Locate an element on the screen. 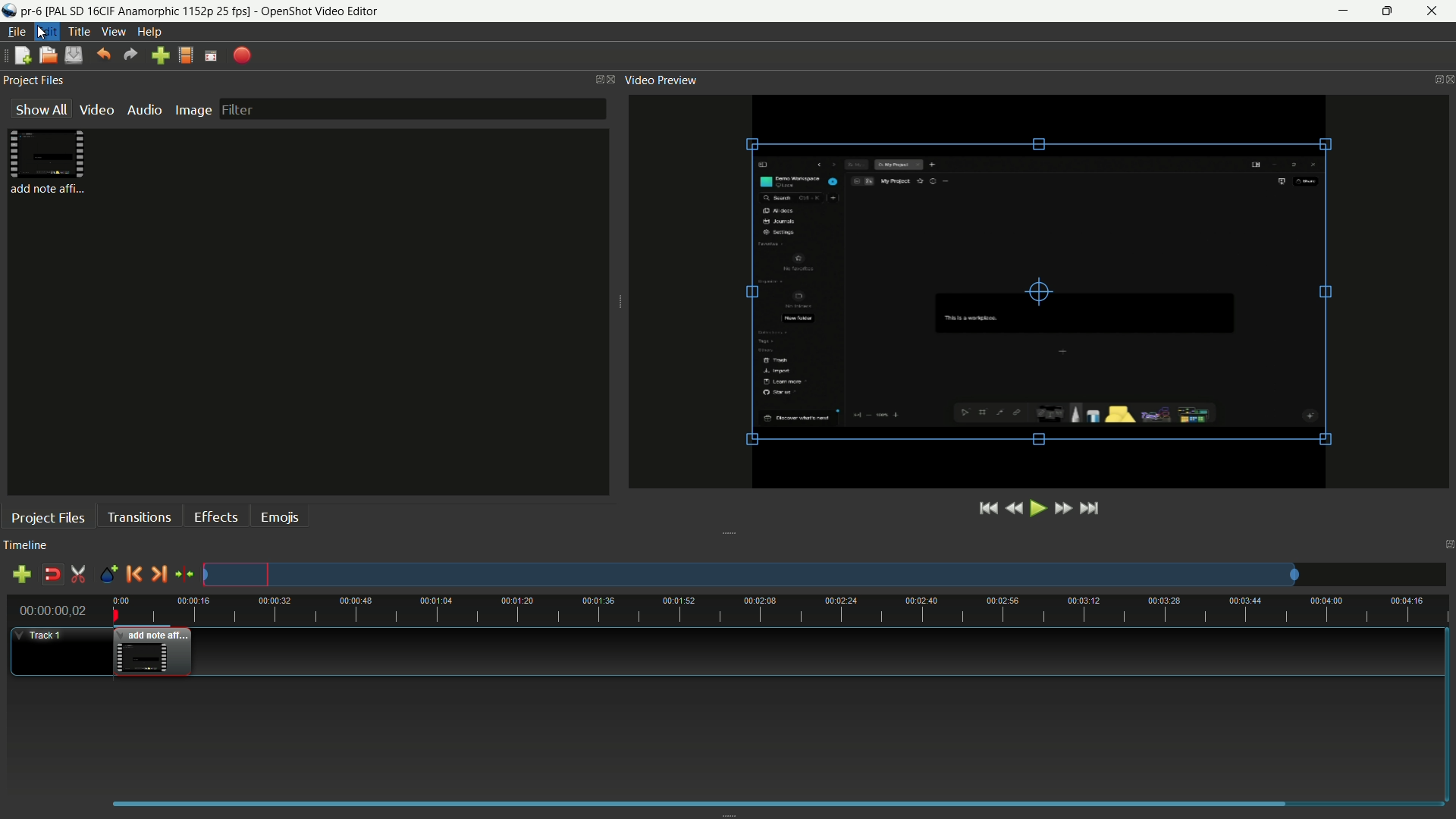 The width and height of the screenshot is (1456, 819). undo is located at coordinates (105, 54).